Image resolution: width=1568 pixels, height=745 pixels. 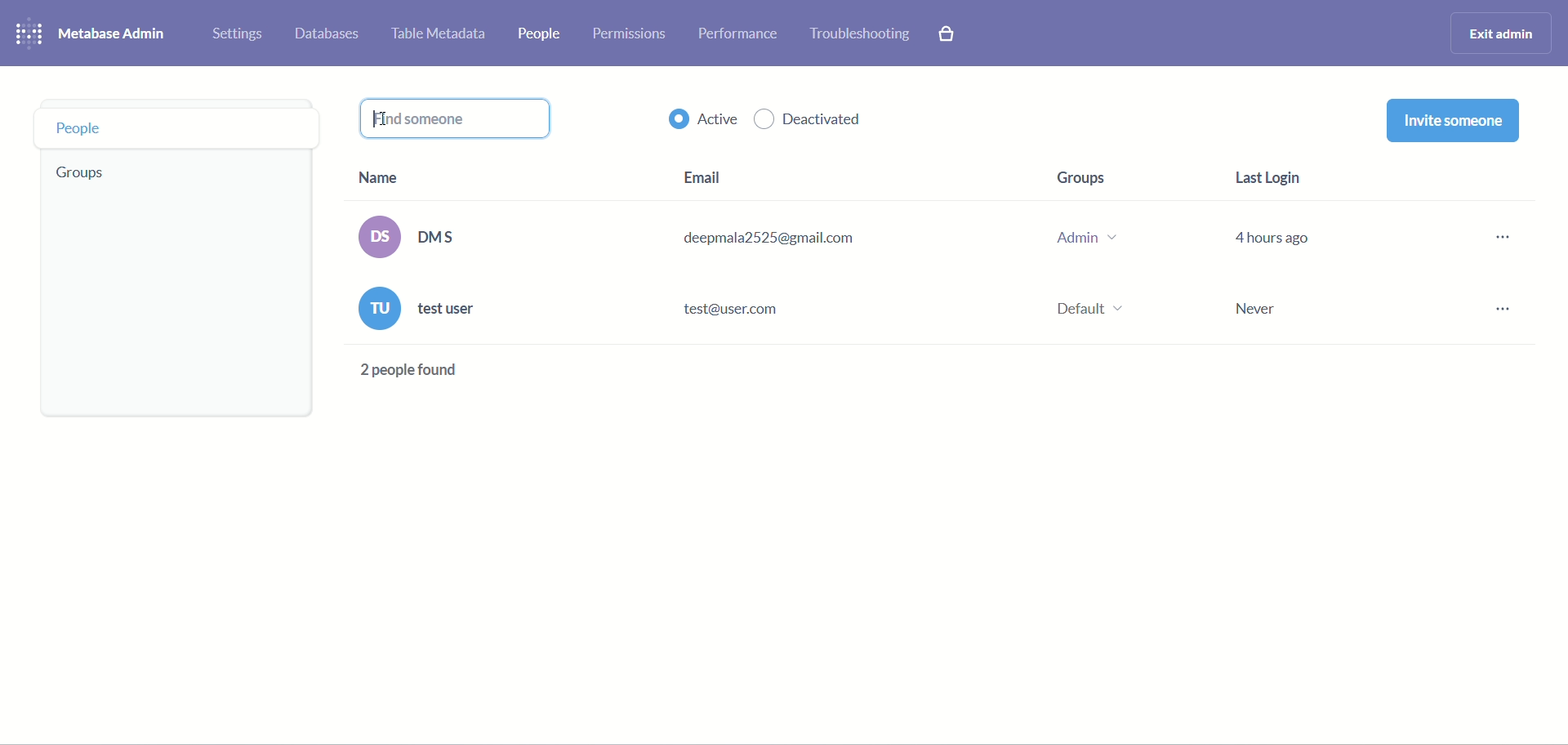 What do you see at coordinates (739, 33) in the screenshot?
I see `performance` at bounding box center [739, 33].